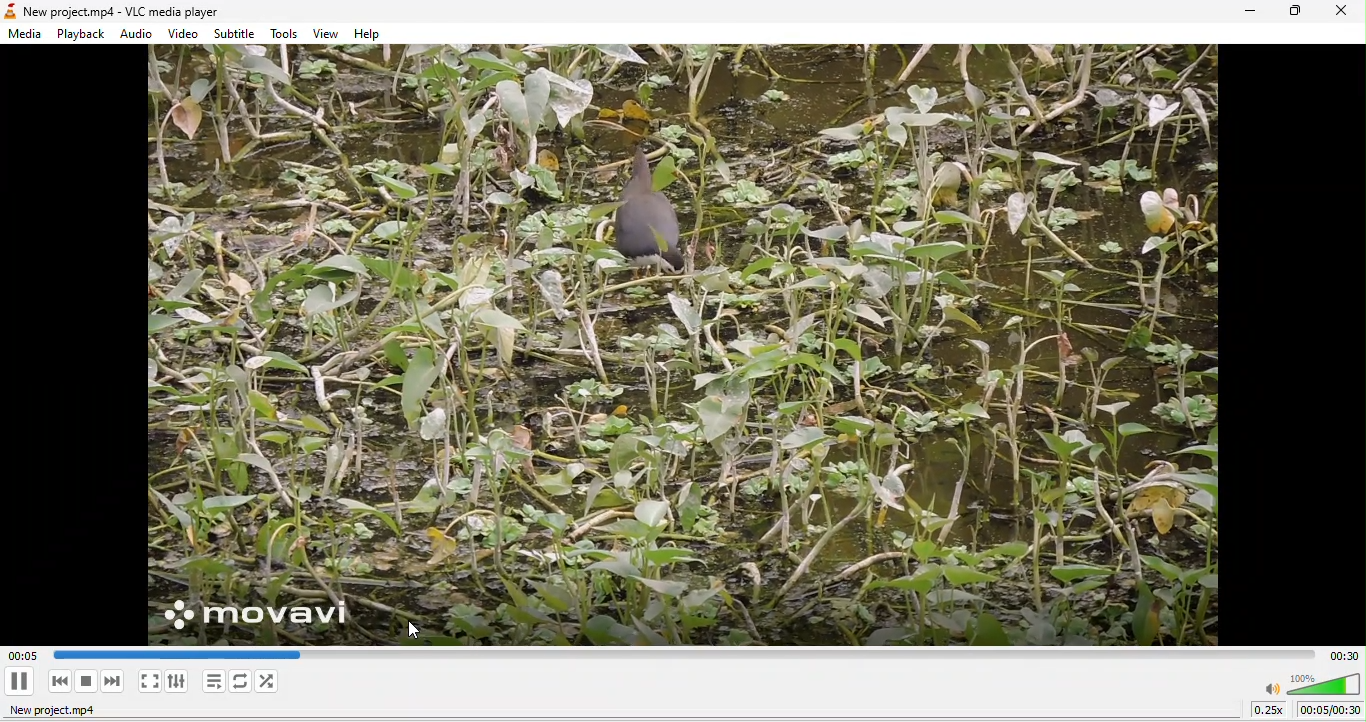 Image resolution: width=1366 pixels, height=722 pixels. Describe the element at coordinates (241, 681) in the screenshot. I see `click to toggle between loop all` at that location.